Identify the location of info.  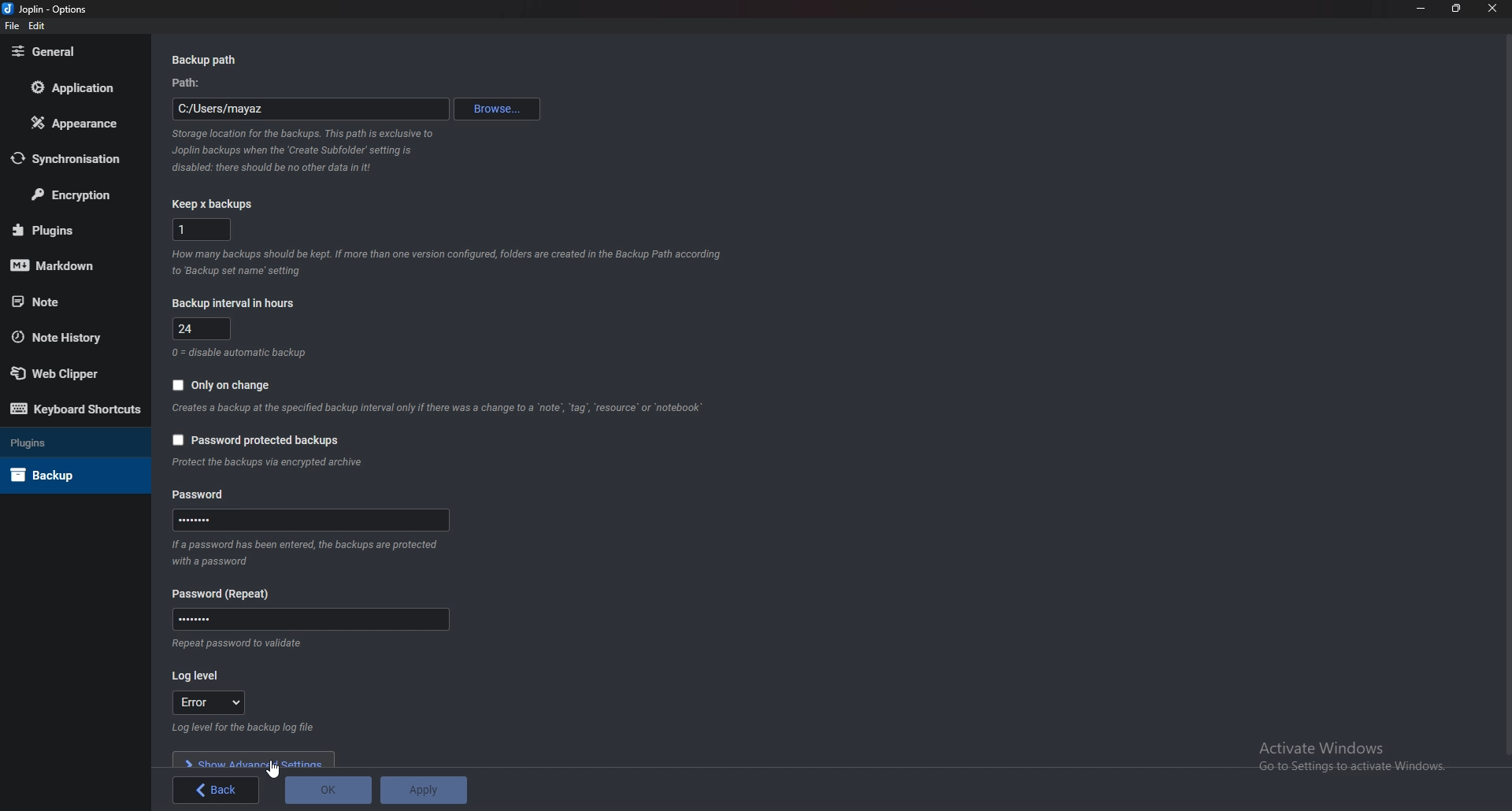
(432, 409).